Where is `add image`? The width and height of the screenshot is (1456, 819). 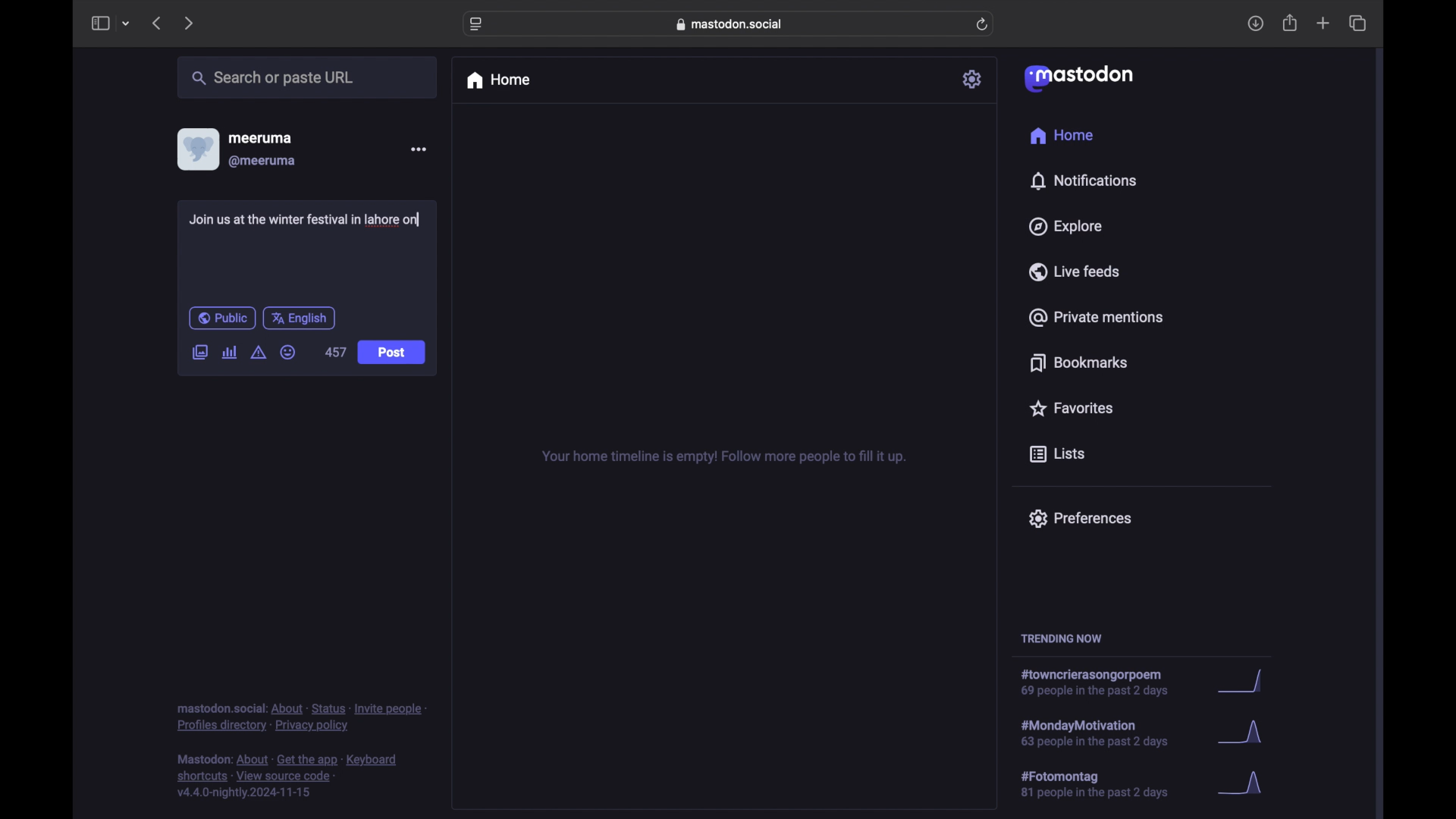 add image is located at coordinates (199, 353).